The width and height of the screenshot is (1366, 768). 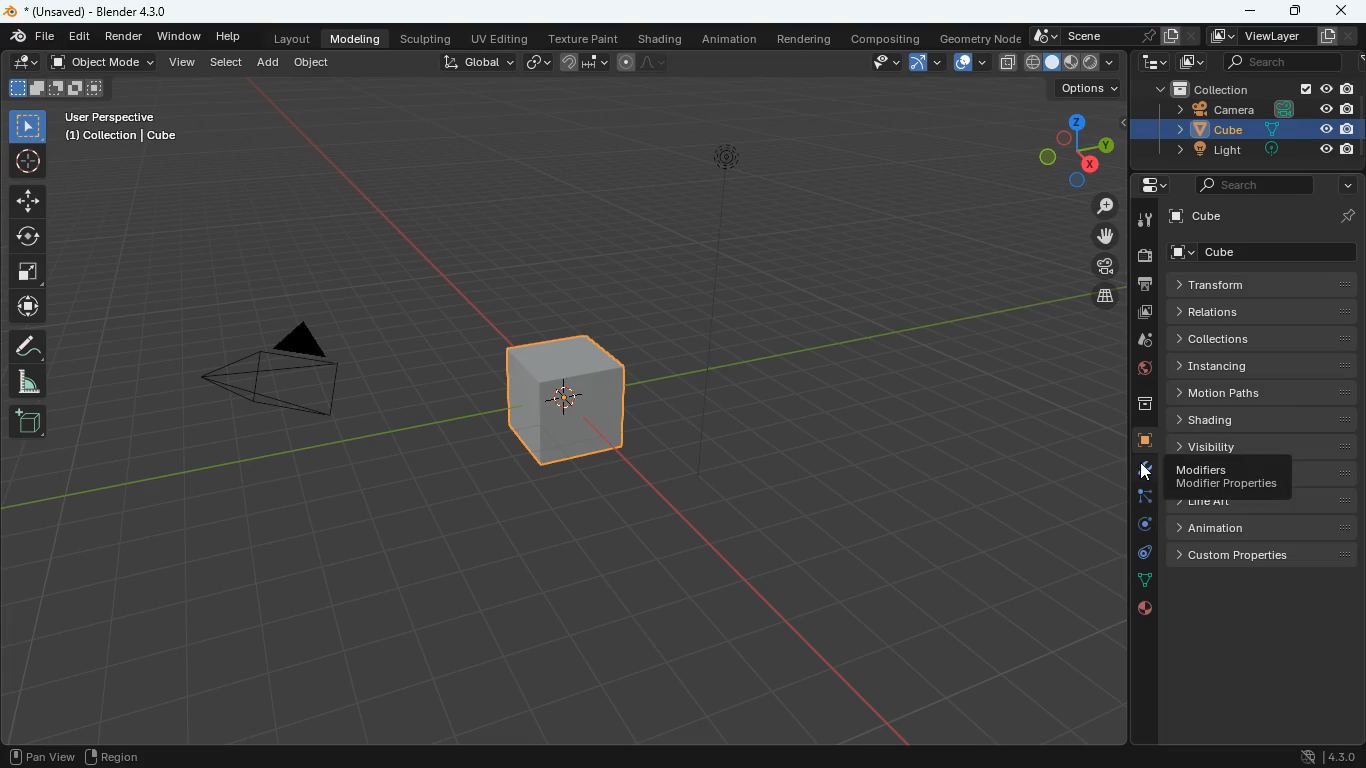 What do you see at coordinates (1266, 312) in the screenshot?
I see `relations` at bounding box center [1266, 312].